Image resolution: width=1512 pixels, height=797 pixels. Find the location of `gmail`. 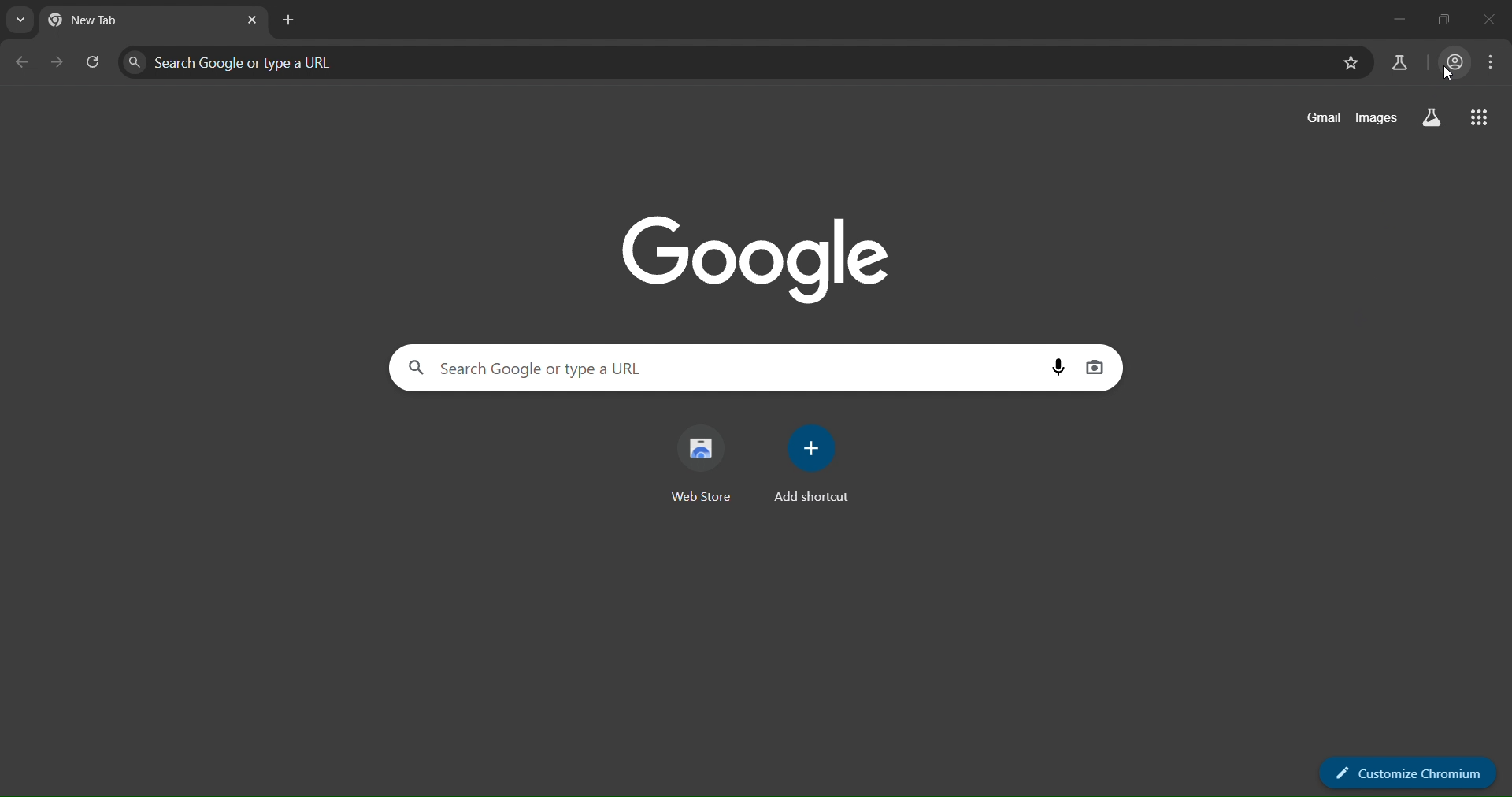

gmail is located at coordinates (1317, 118).